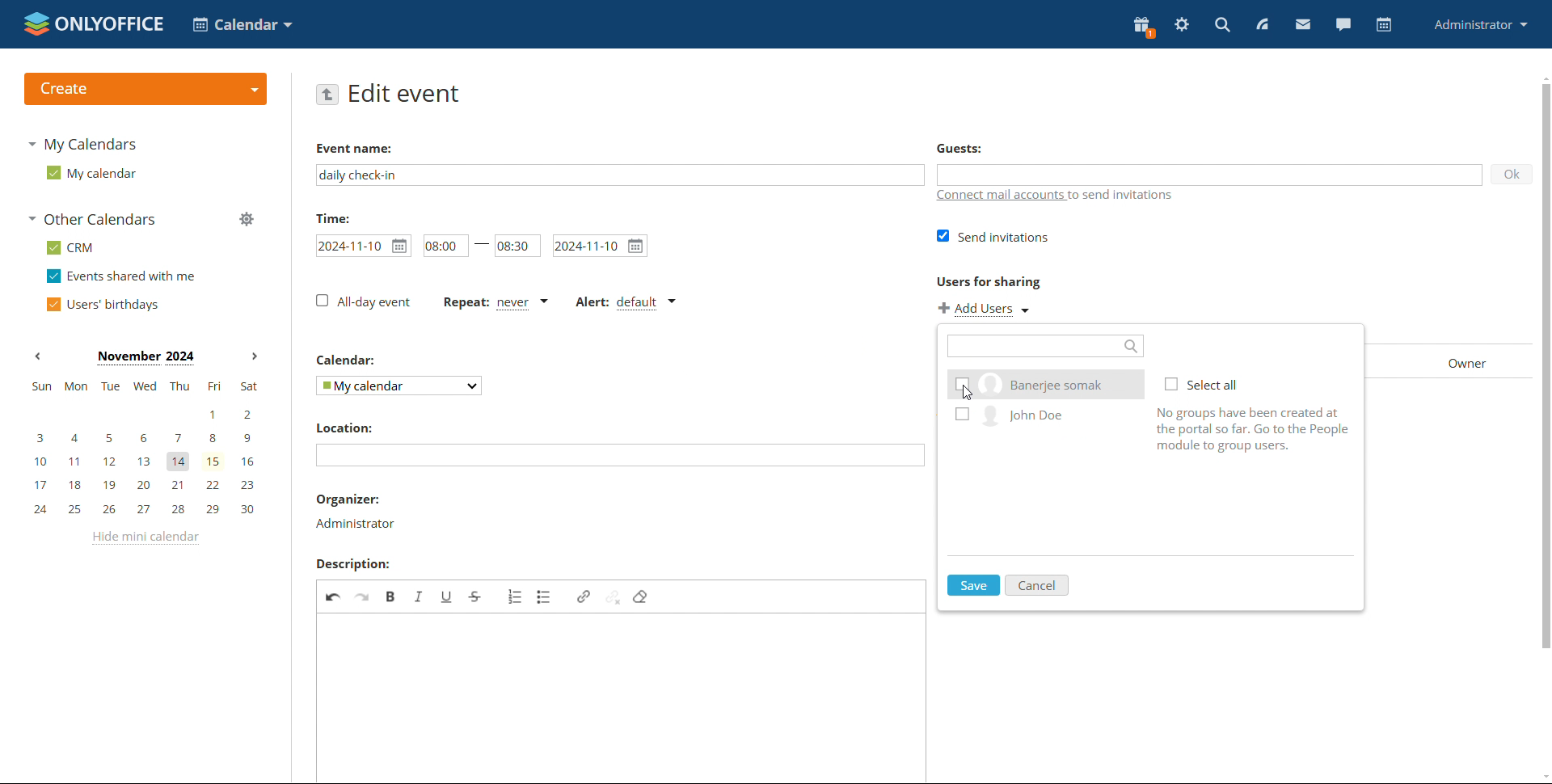 This screenshot has width=1552, height=784. What do you see at coordinates (121, 276) in the screenshot?
I see `events shared with me` at bounding box center [121, 276].